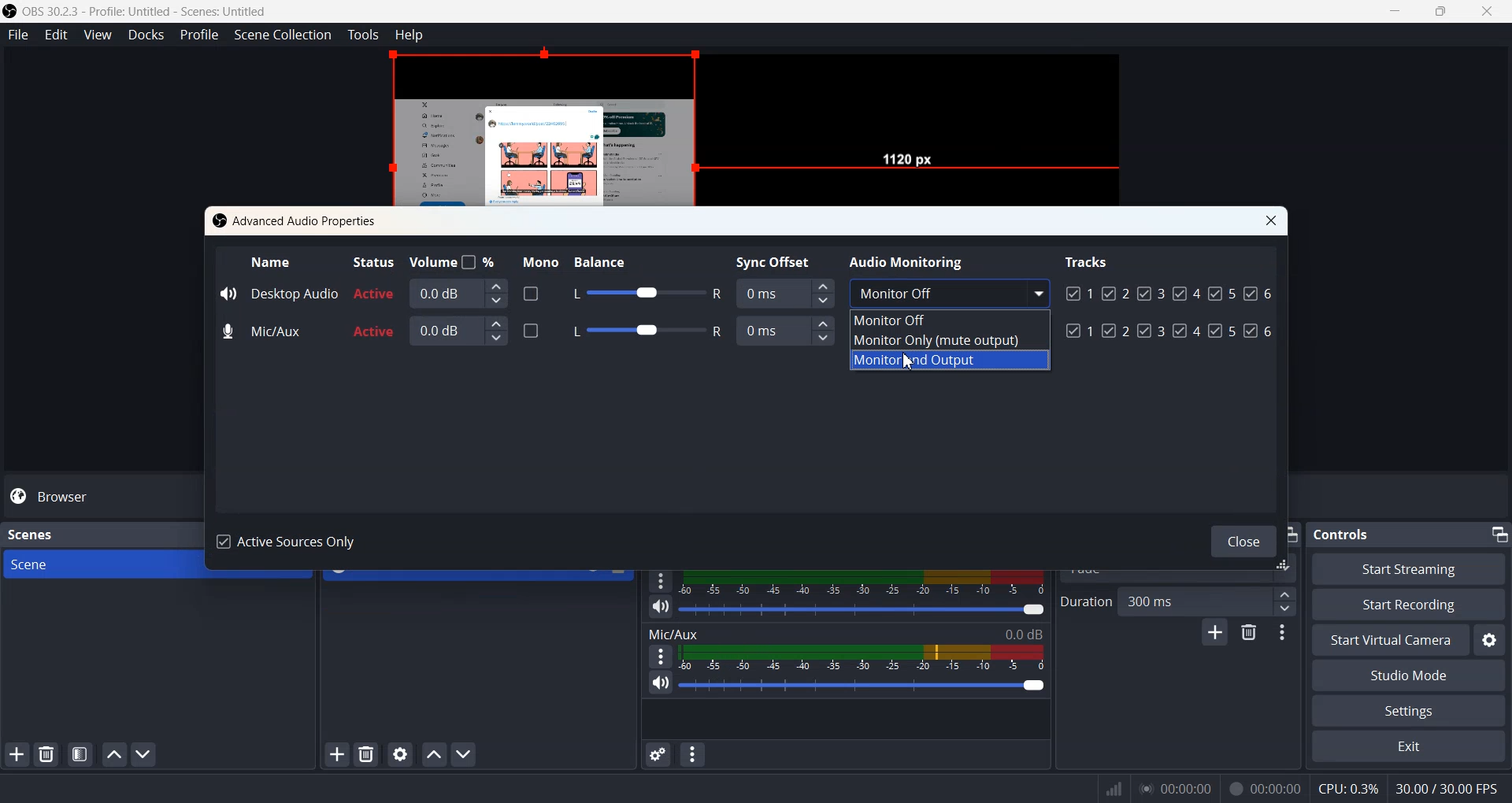  What do you see at coordinates (291, 543) in the screenshot?
I see `Active Sources Only` at bounding box center [291, 543].